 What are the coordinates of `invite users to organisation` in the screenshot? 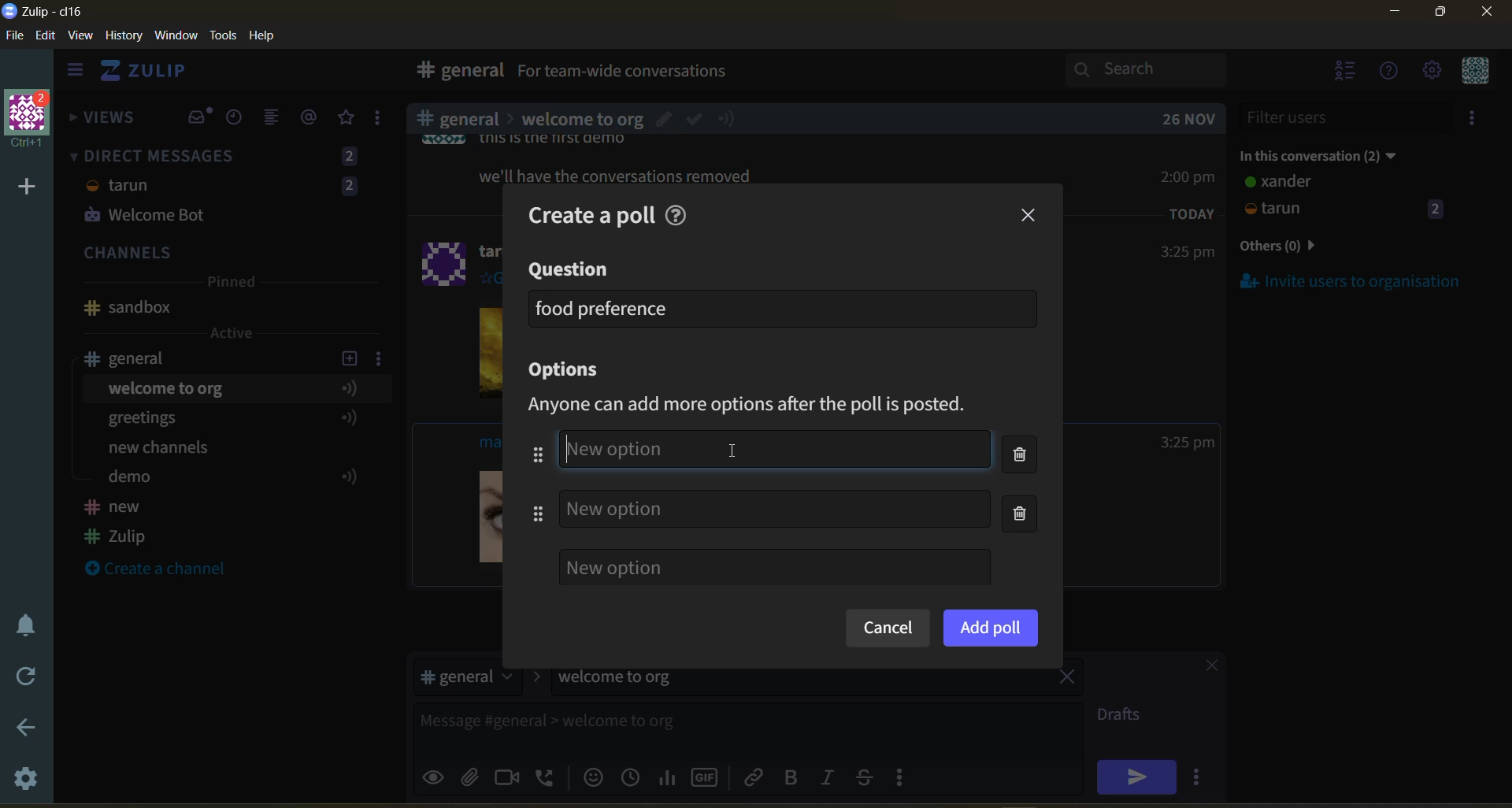 It's located at (1475, 120).